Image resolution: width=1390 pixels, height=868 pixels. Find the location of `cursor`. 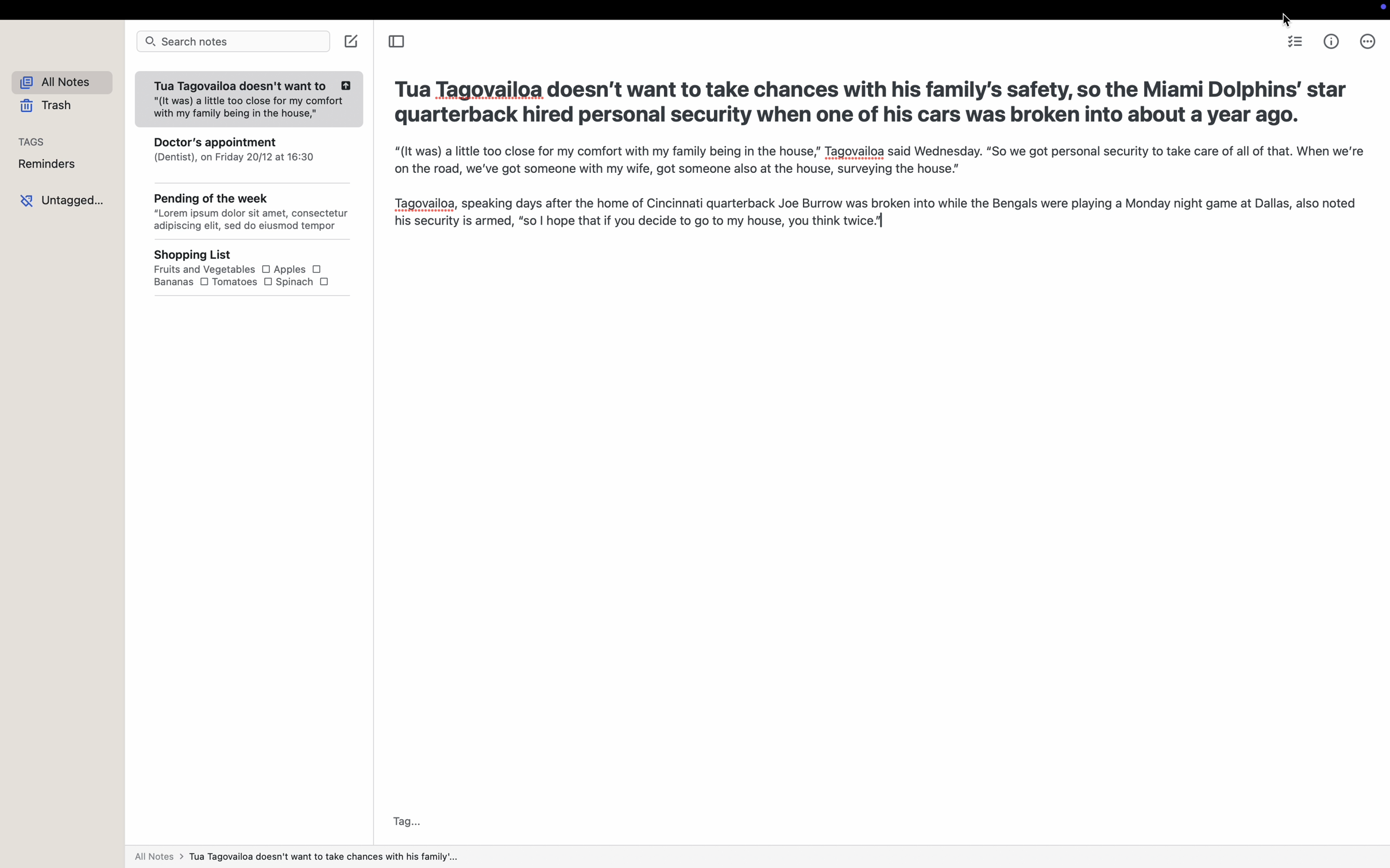

cursor is located at coordinates (1287, 18).